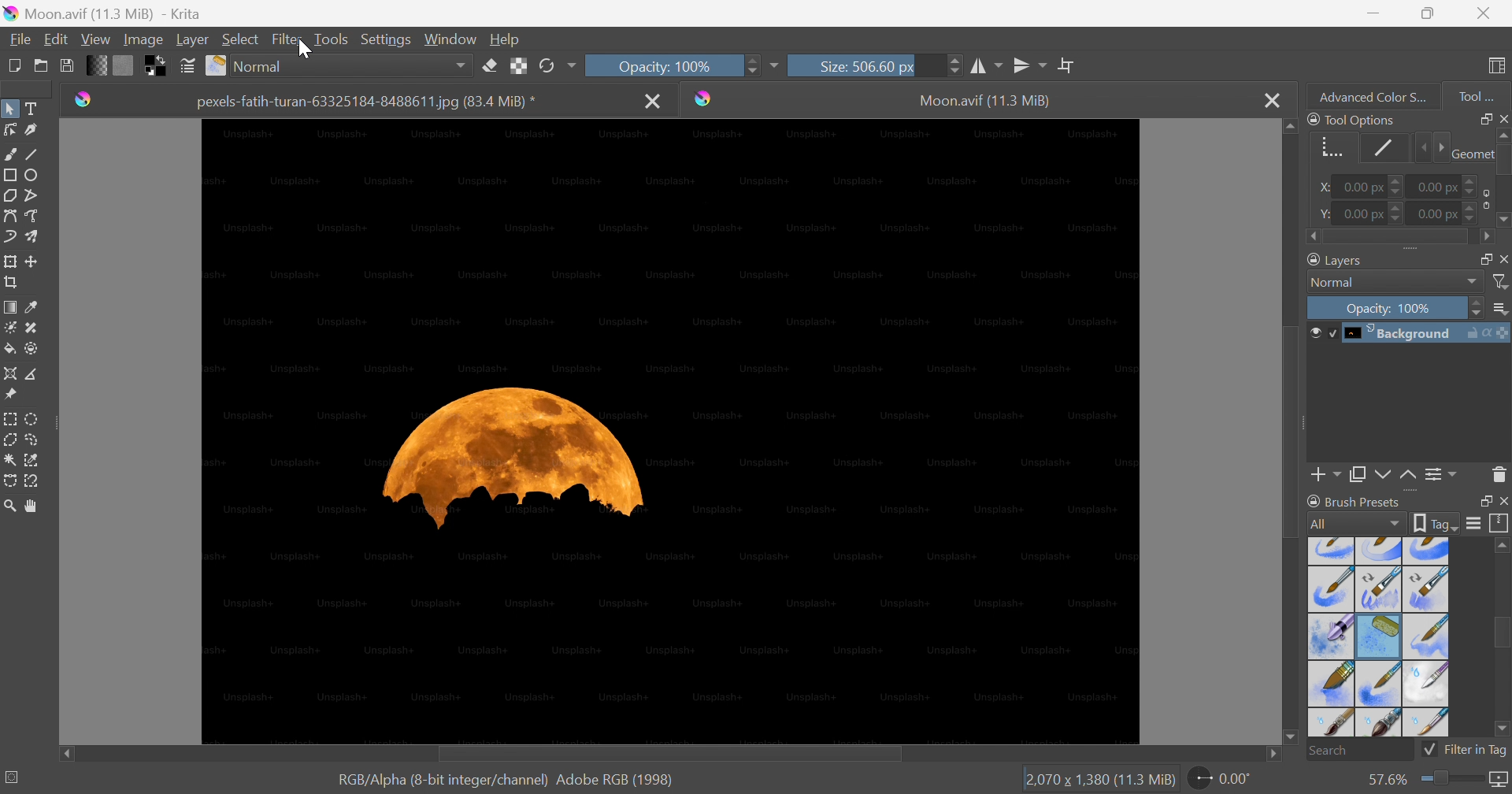 This screenshot has width=1512, height=794. What do you see at coordinates (707, 98) in the screenshot?
I see `Krita icon` at bounding box center [707, 98].